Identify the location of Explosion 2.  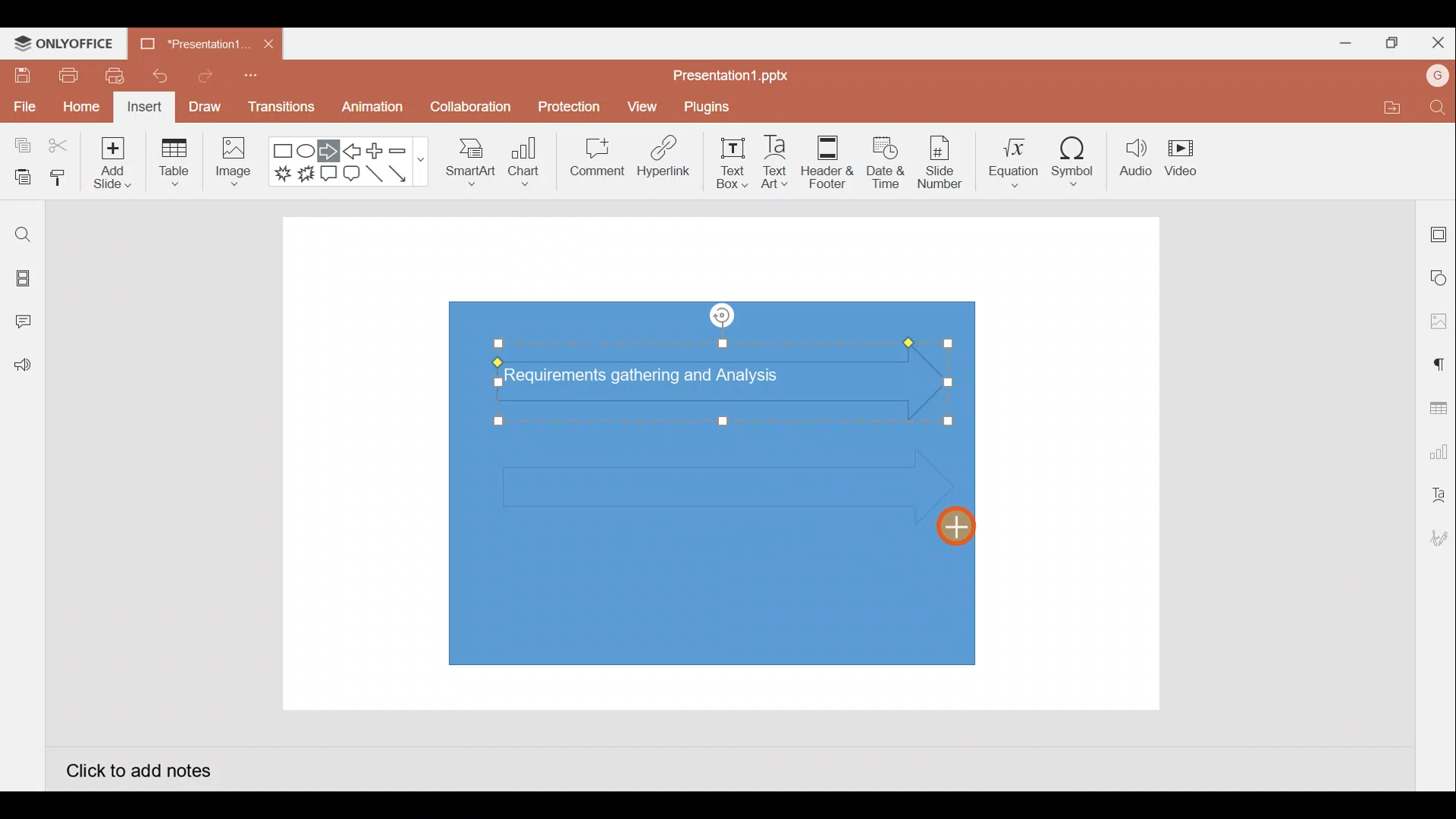
(306, 174).